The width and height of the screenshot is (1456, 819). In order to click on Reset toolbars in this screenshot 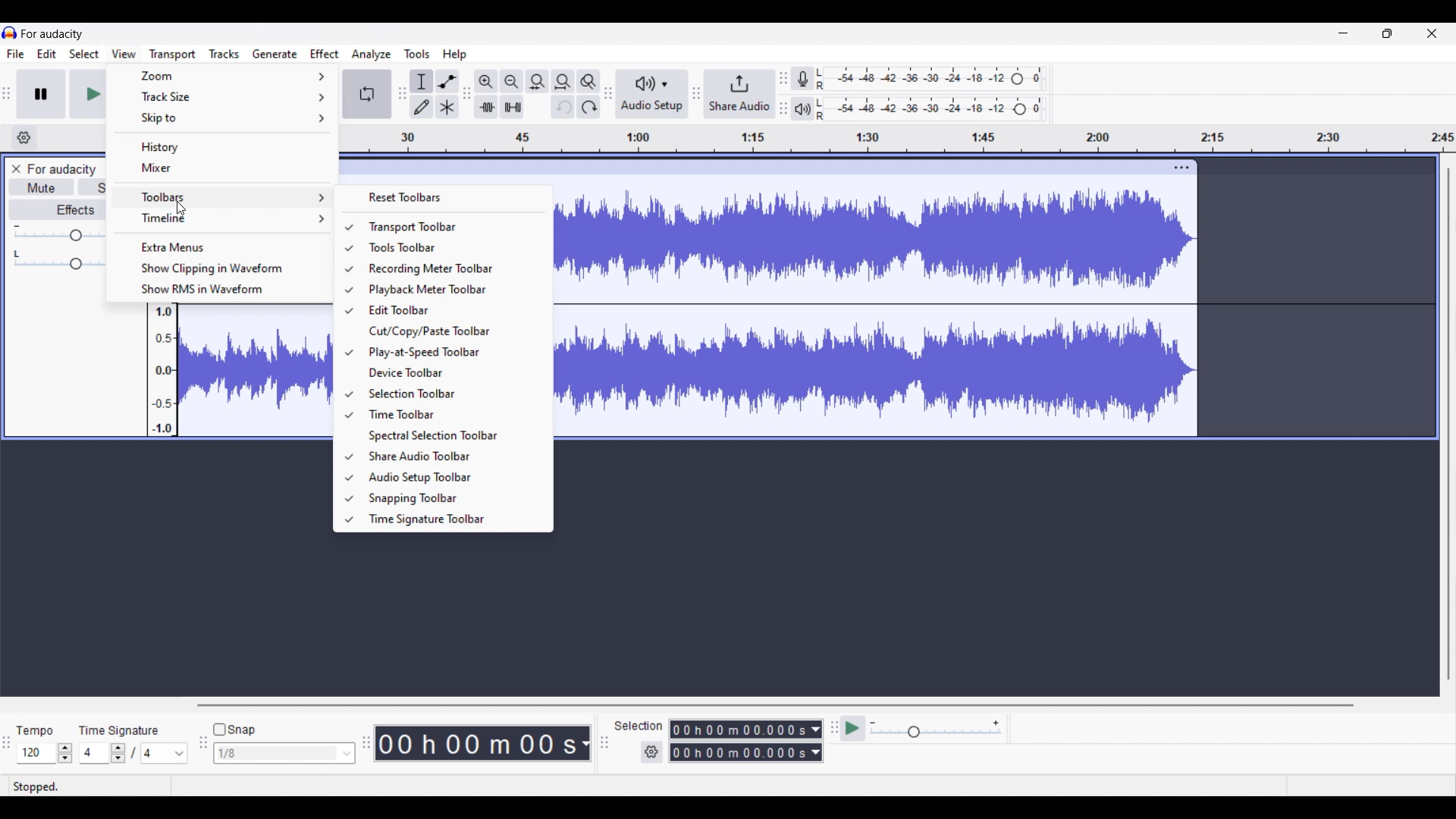, I will do `click(444, 197)`.